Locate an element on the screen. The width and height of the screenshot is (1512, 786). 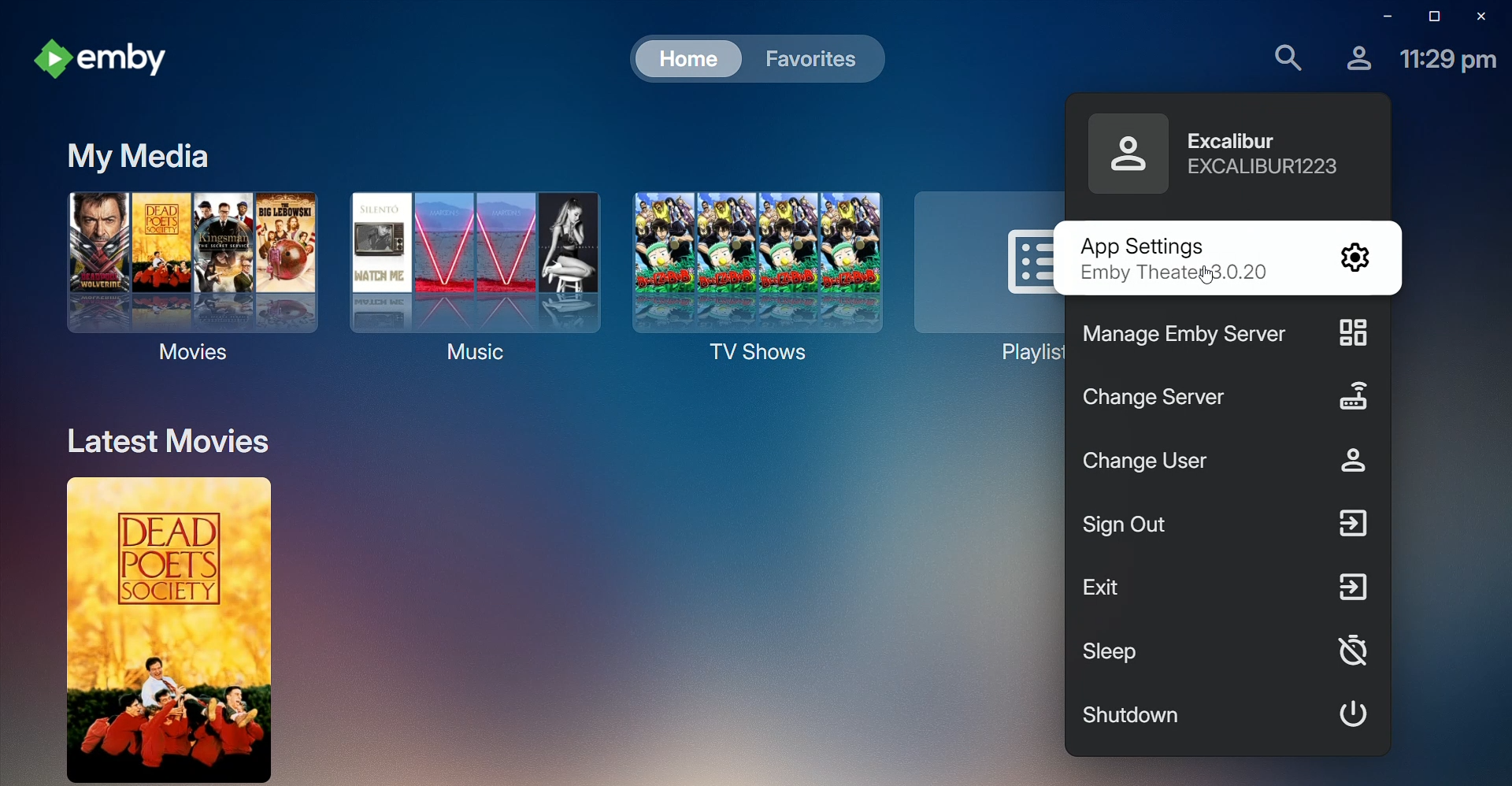
TV Shows is located at coordinates (747, 272).